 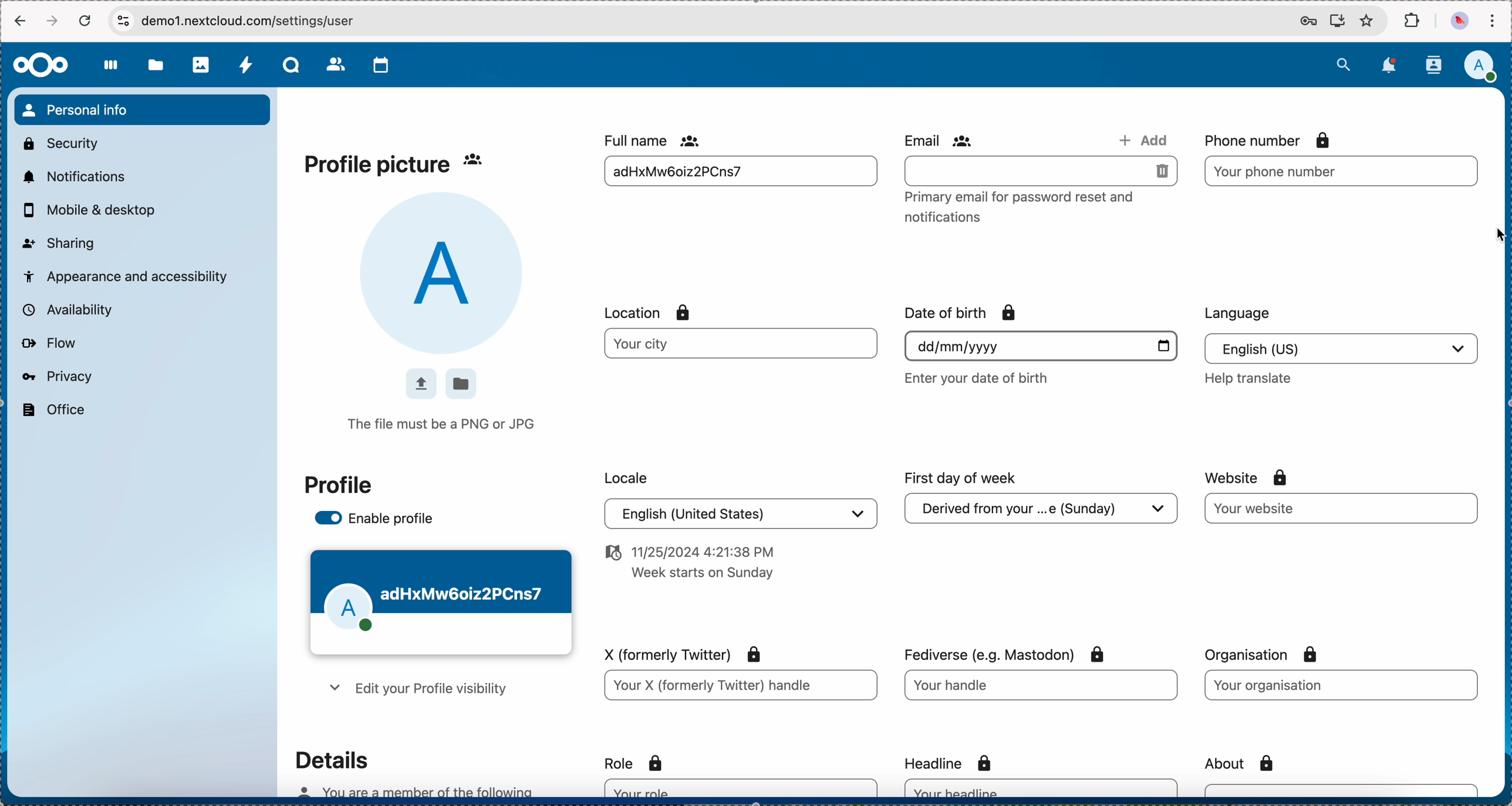 What do you see at coordinates (1458, 22) in the screenshot?
I see `profile picture` at bounding box center [1458, 22].